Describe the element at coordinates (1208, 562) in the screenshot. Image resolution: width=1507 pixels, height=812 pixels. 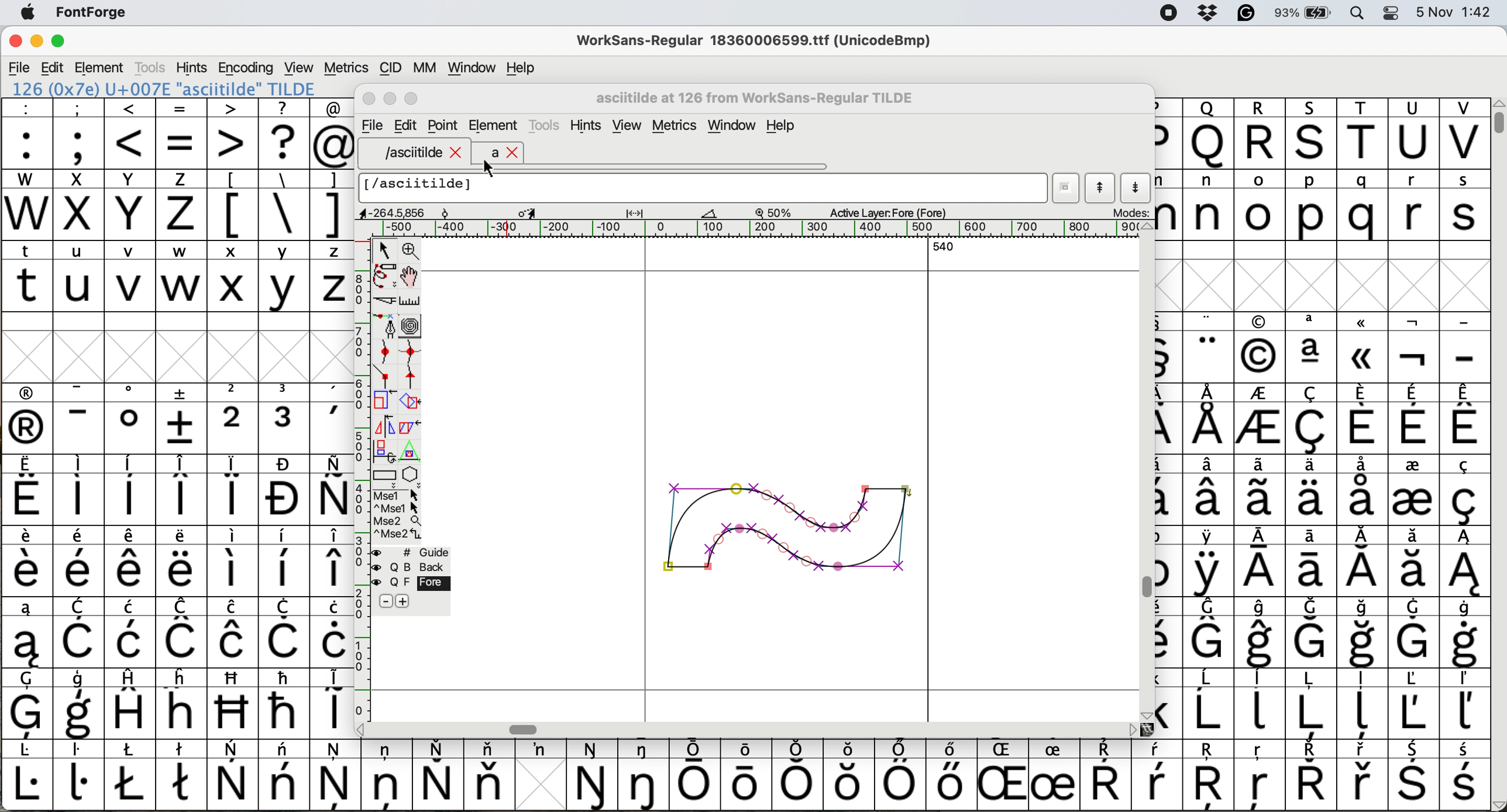
I see `symbol` at that location.